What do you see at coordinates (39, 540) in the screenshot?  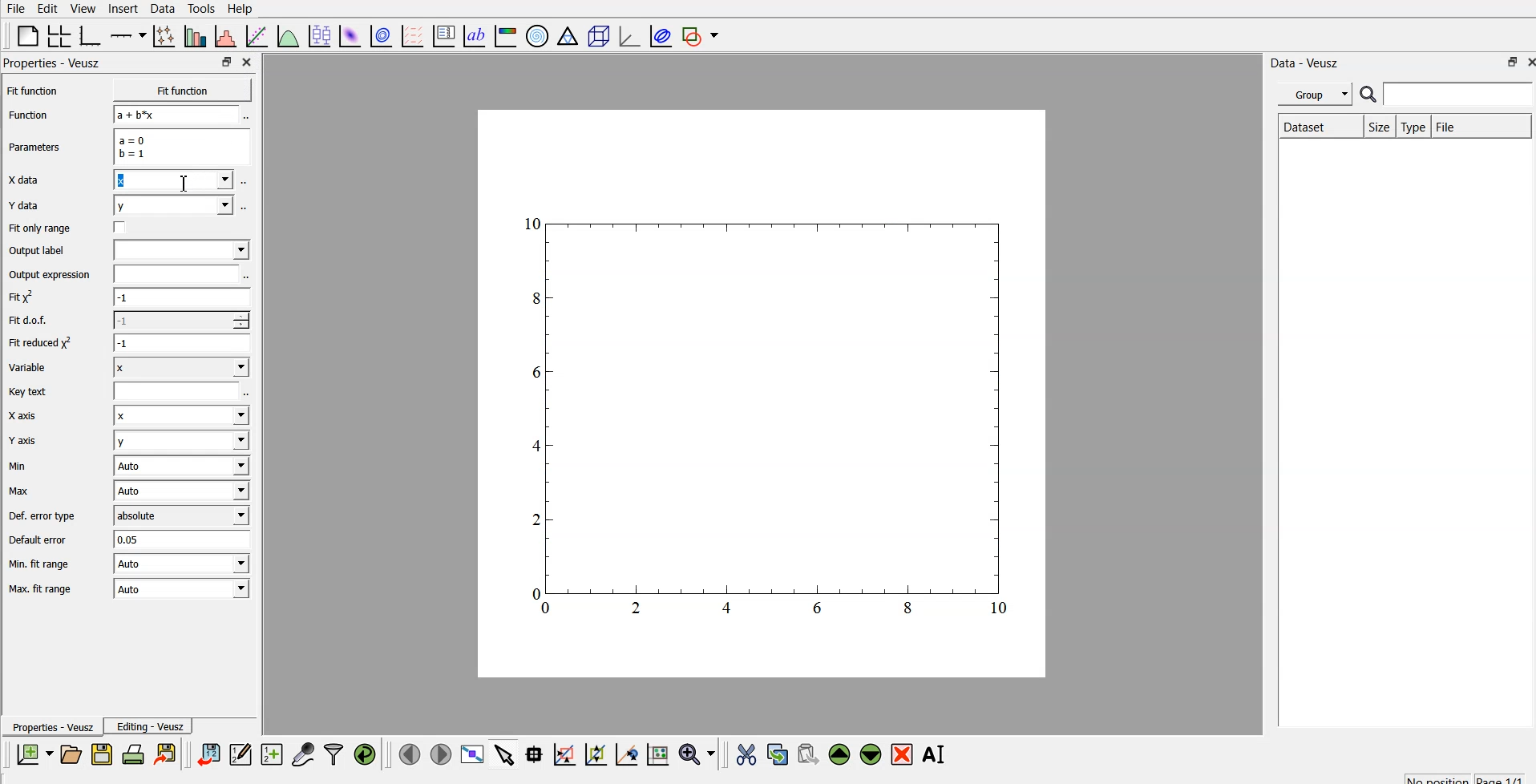 I see `Default error` at bounding box center [39, 540].